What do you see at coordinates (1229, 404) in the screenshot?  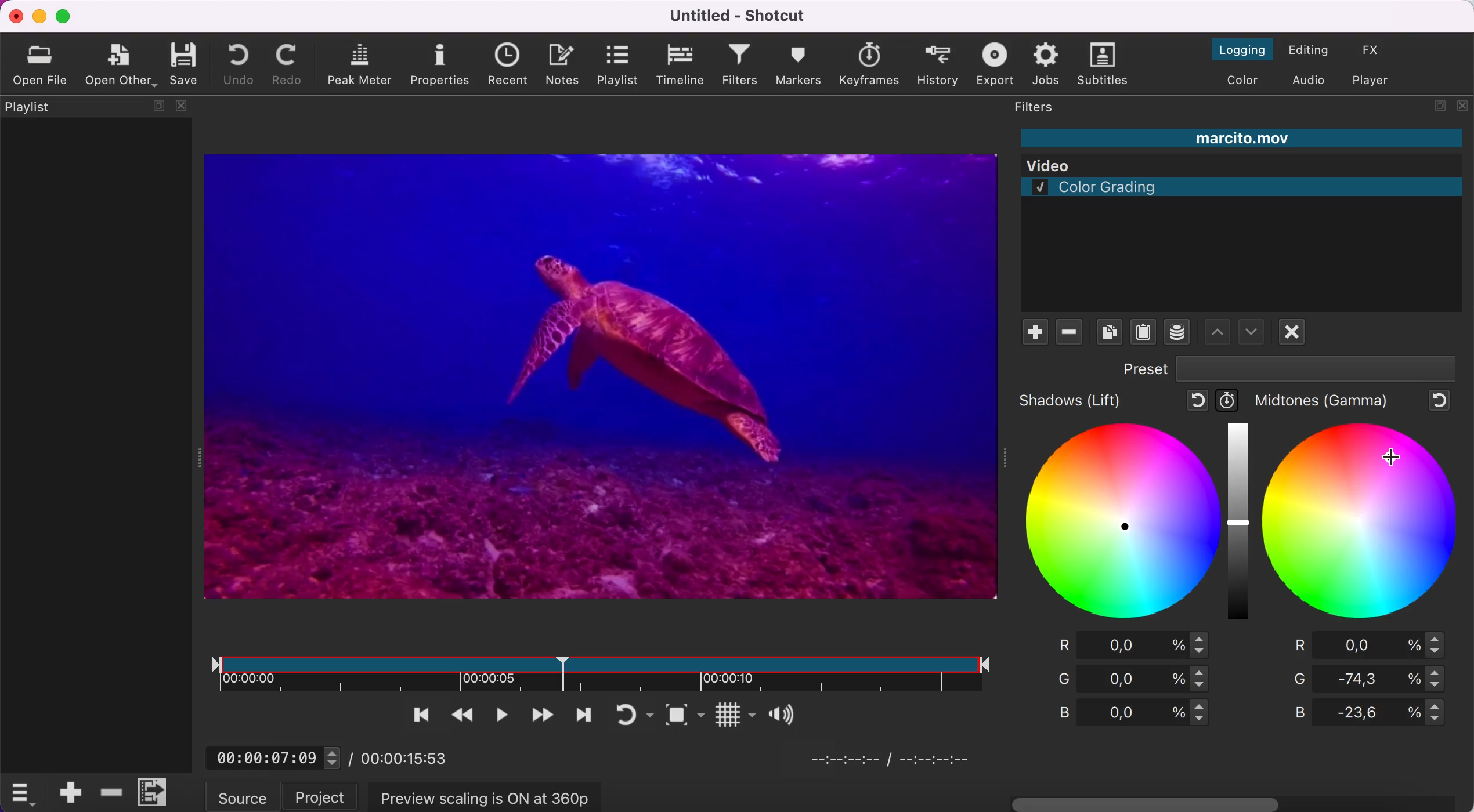 I see `use keyframes for this parameter` at bounding box center [1229, 404].